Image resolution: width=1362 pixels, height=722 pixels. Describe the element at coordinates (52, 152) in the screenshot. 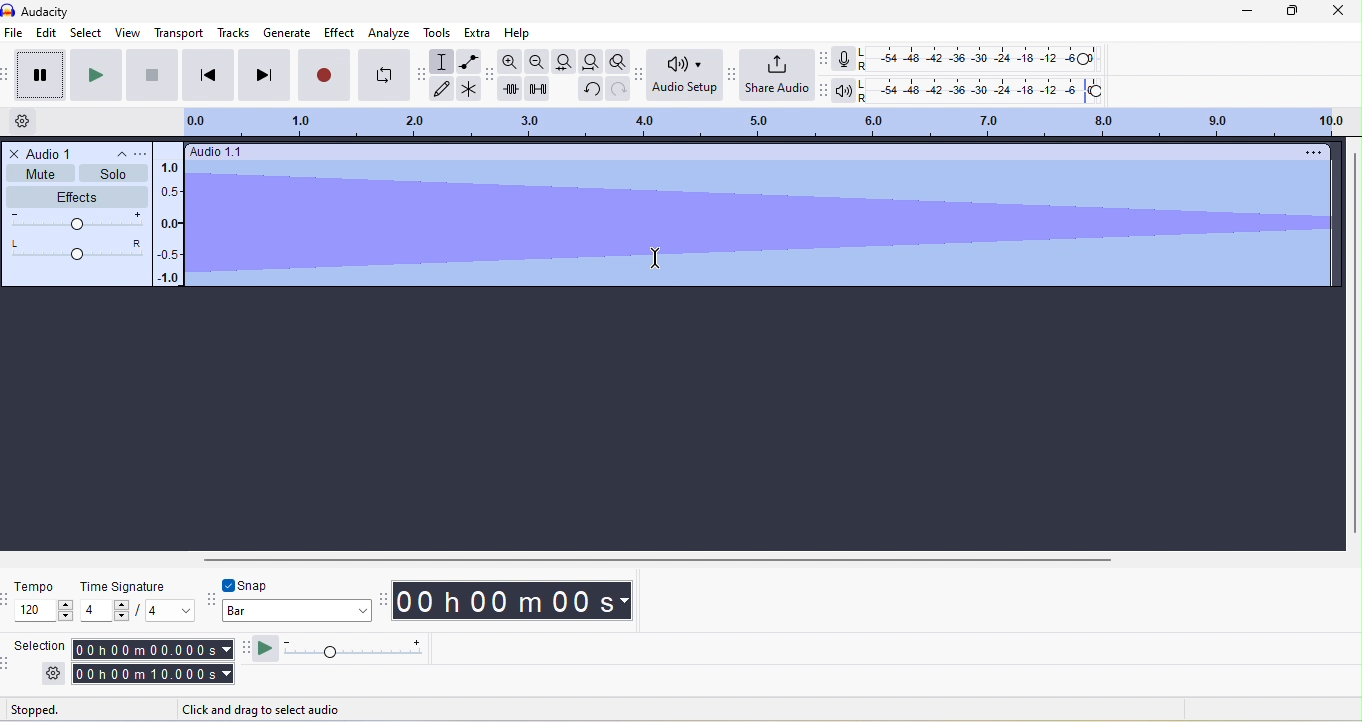

I see `audio 1` at that location.